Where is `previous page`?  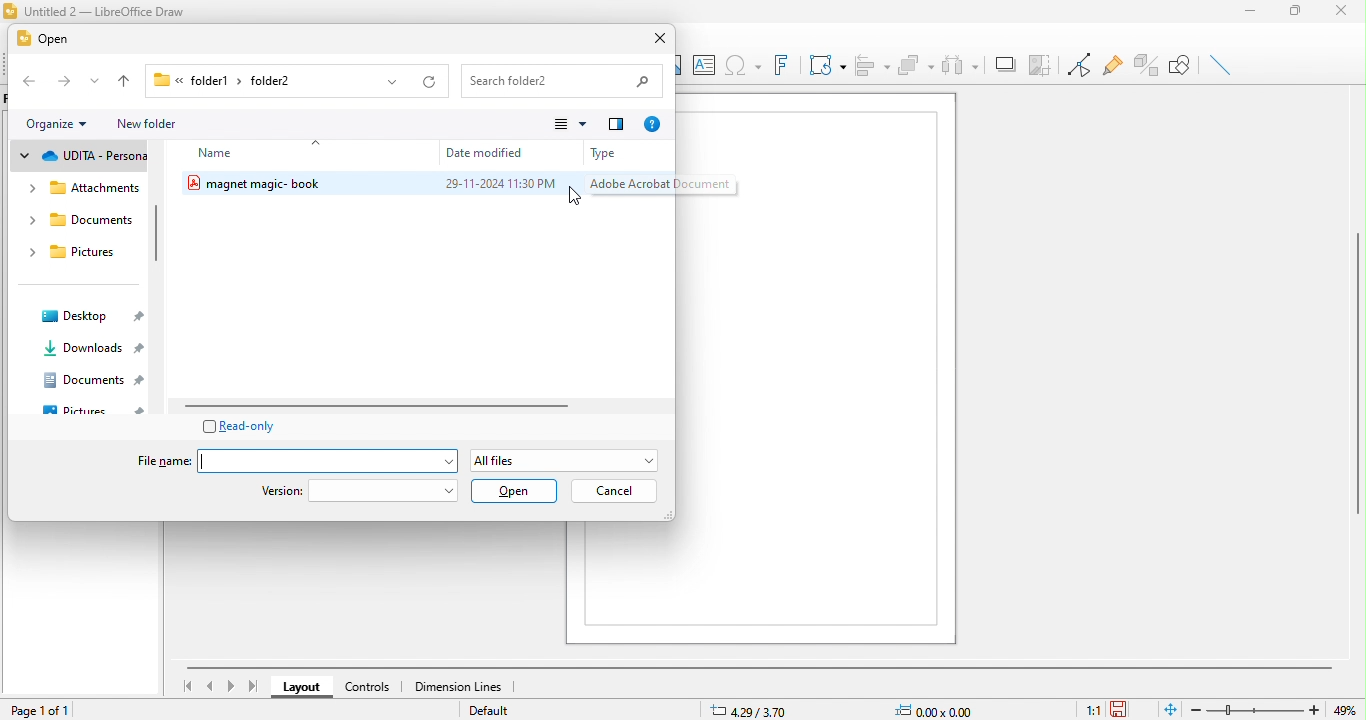
previous page is located at coordinates (210, 686).